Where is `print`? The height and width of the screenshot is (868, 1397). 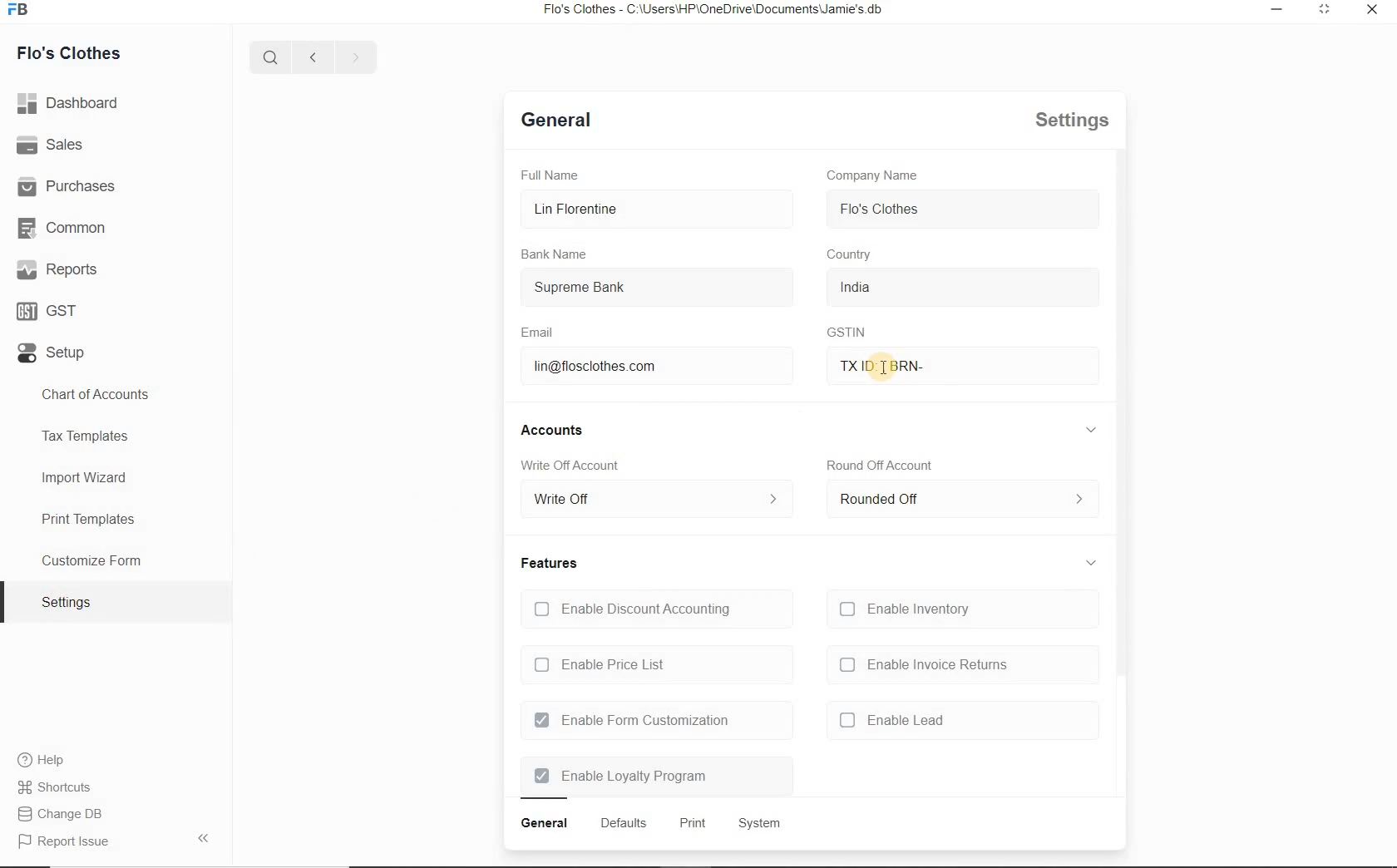
print is located at coordinates (691, 825).